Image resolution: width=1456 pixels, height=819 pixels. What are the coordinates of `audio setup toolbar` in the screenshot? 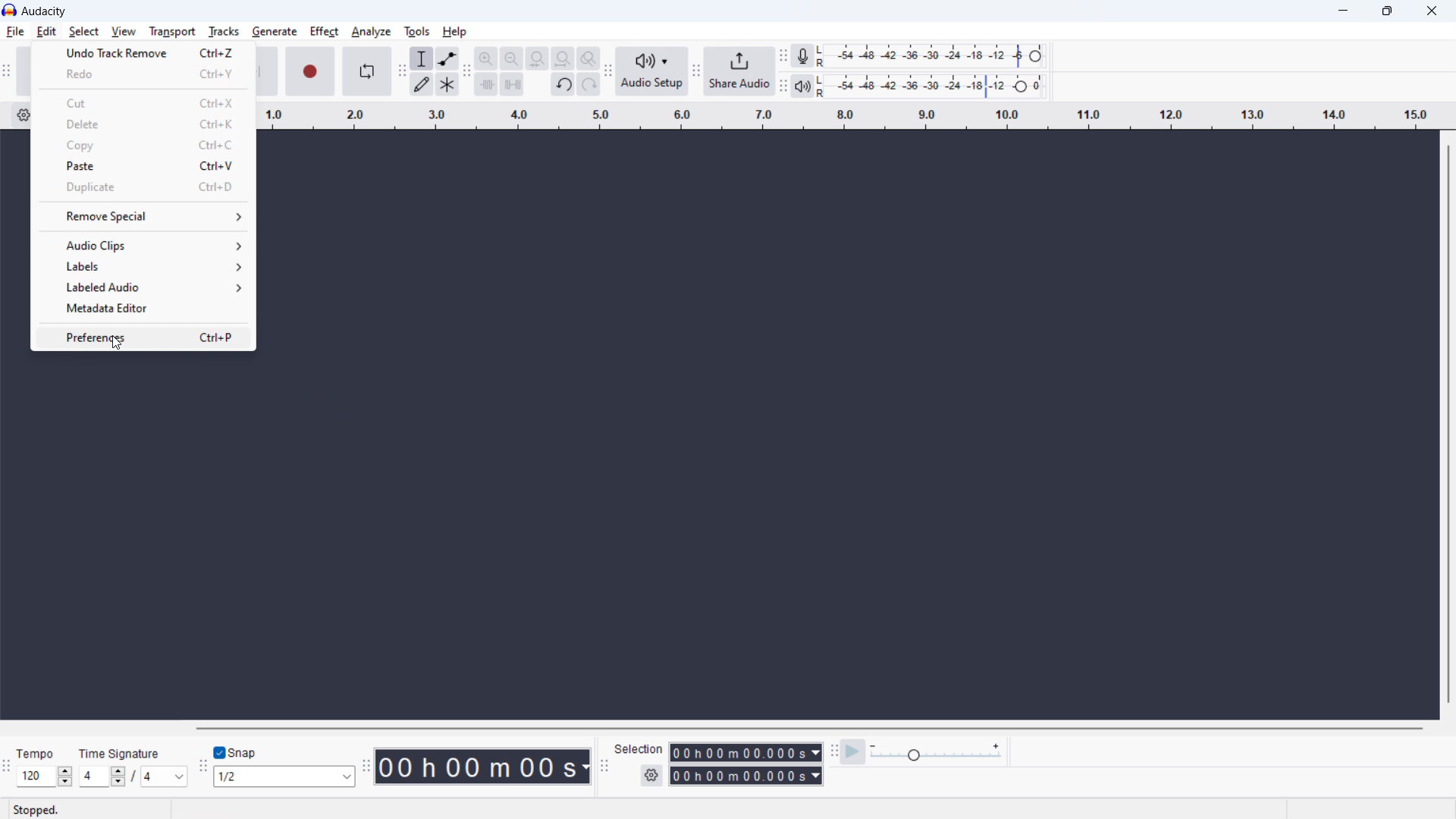 It's located at (609, 71).